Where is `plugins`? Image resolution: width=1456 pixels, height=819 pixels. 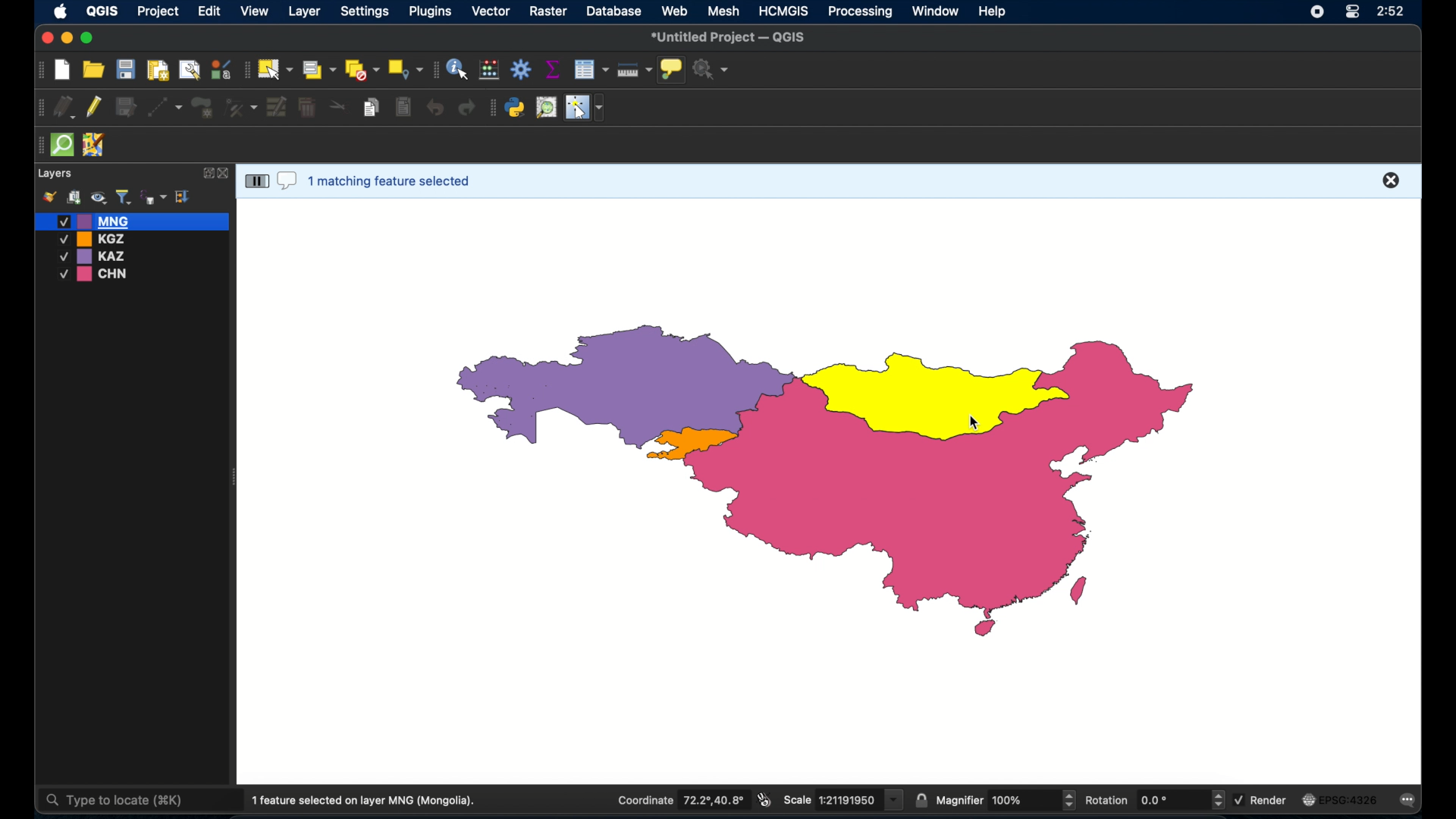 plugins is located at coordinates (492, 108).